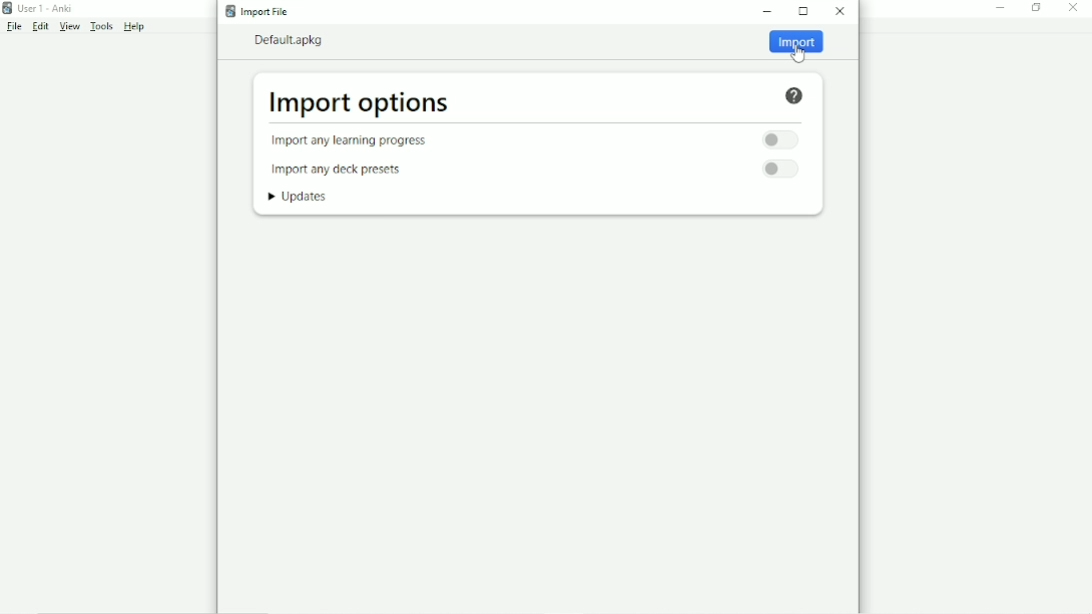 The image size is (1092, 614). Describe the element at coordinates (359, 141) in the screenshot. I see `Import any learning progress` at that location.